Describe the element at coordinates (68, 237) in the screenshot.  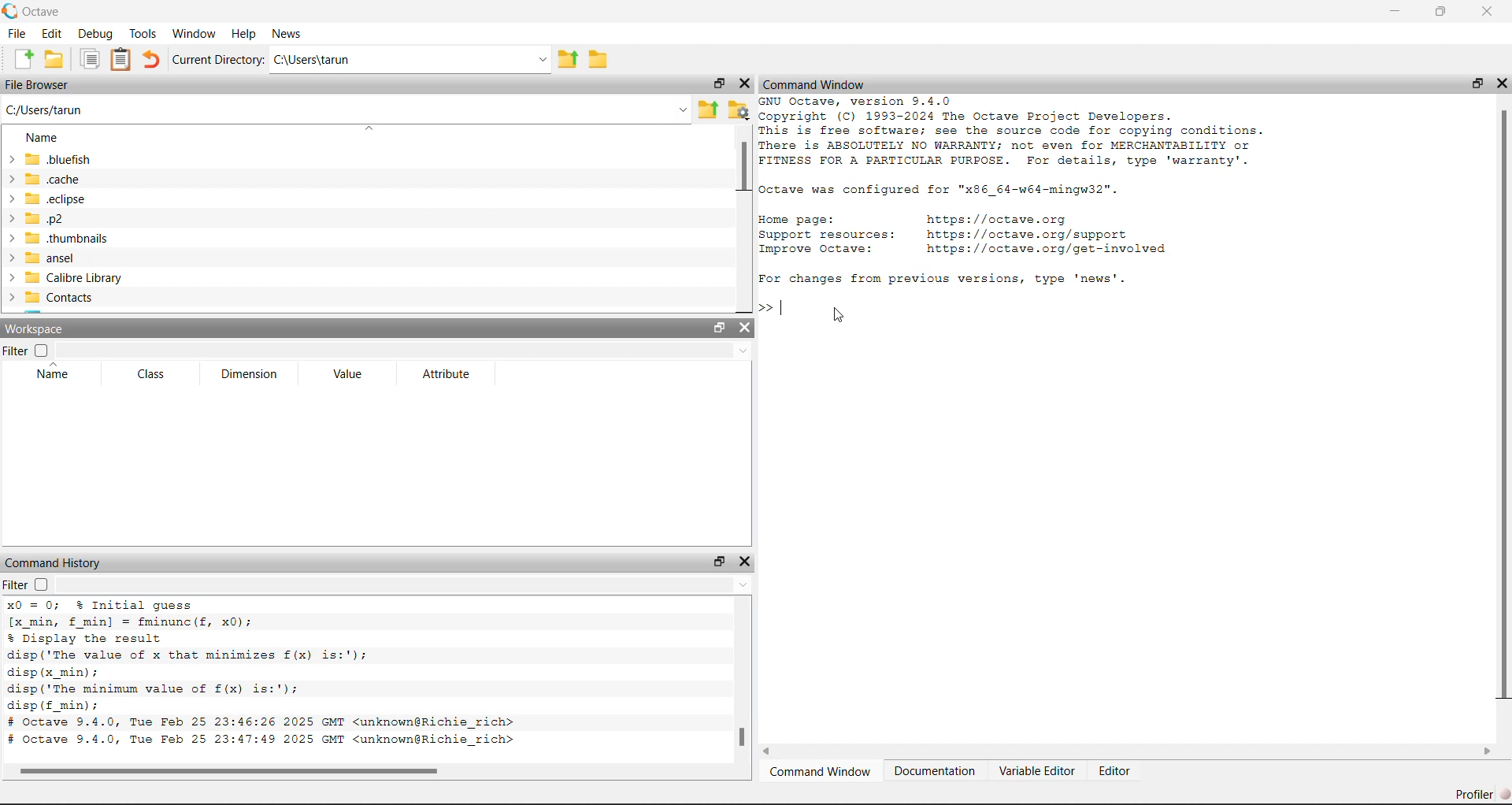
I see `>  thumbnails` at that location.